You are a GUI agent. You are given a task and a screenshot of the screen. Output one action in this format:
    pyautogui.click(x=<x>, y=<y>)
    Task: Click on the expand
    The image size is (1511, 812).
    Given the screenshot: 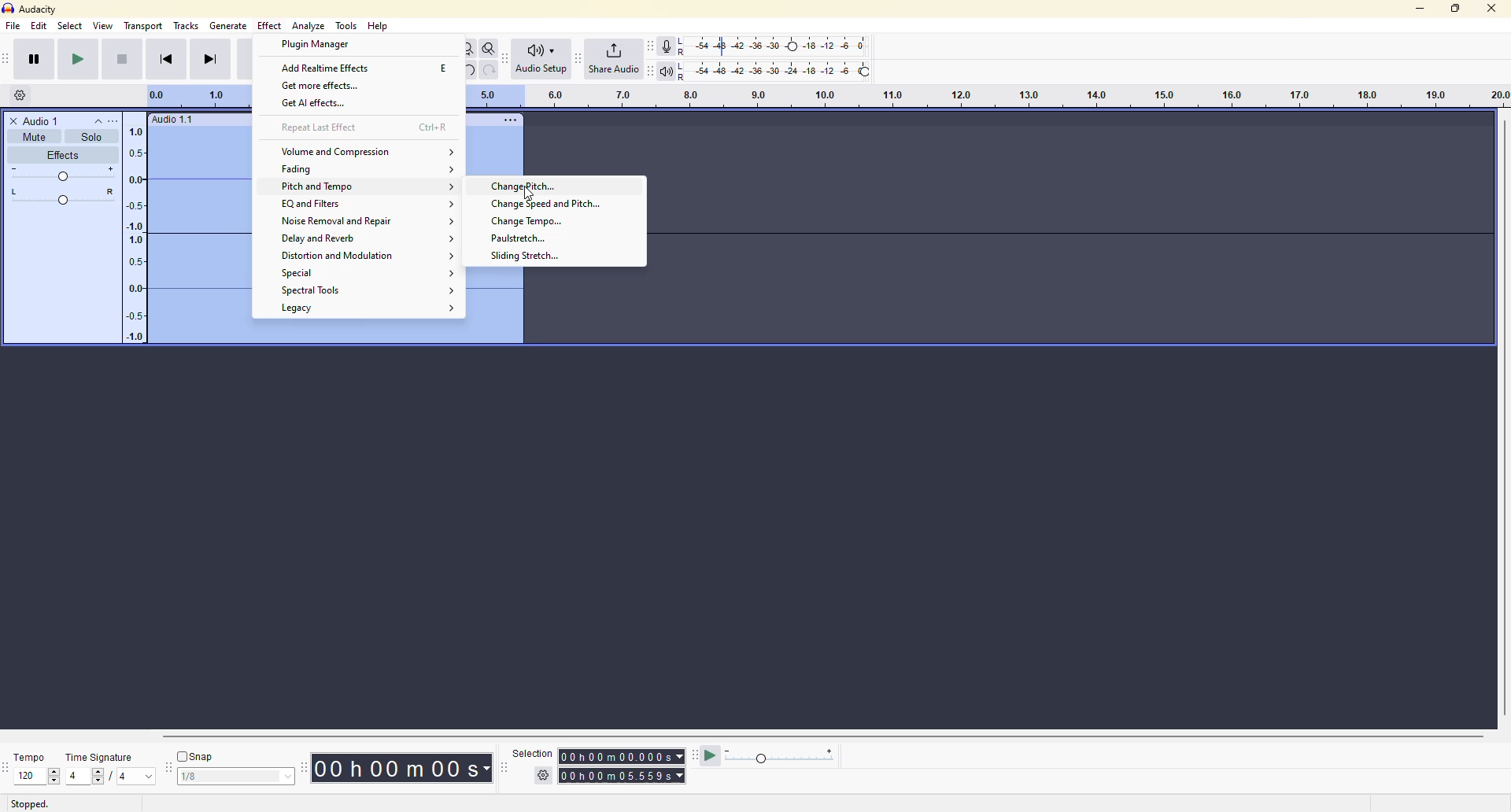 What is the action you would take?
    pyautogui.click(x=451, y=239)
    